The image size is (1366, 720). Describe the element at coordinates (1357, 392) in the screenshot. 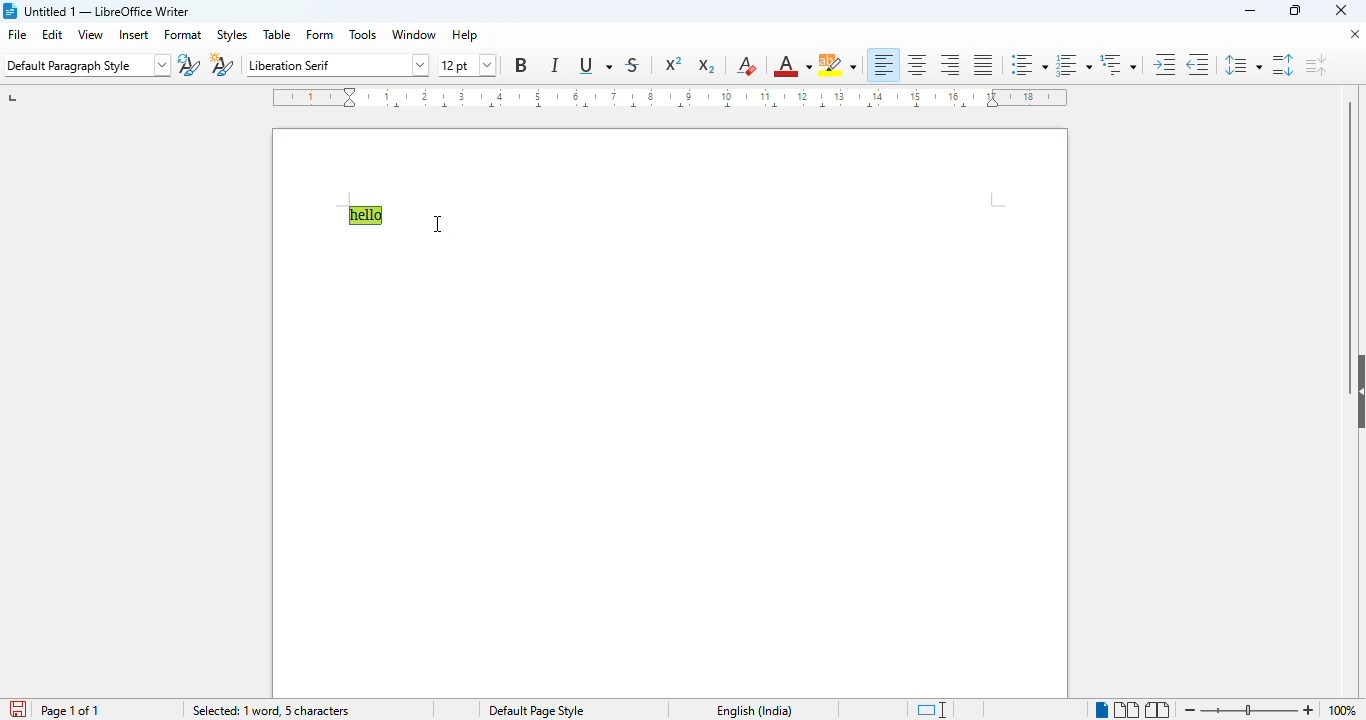

I see `show` at that location.